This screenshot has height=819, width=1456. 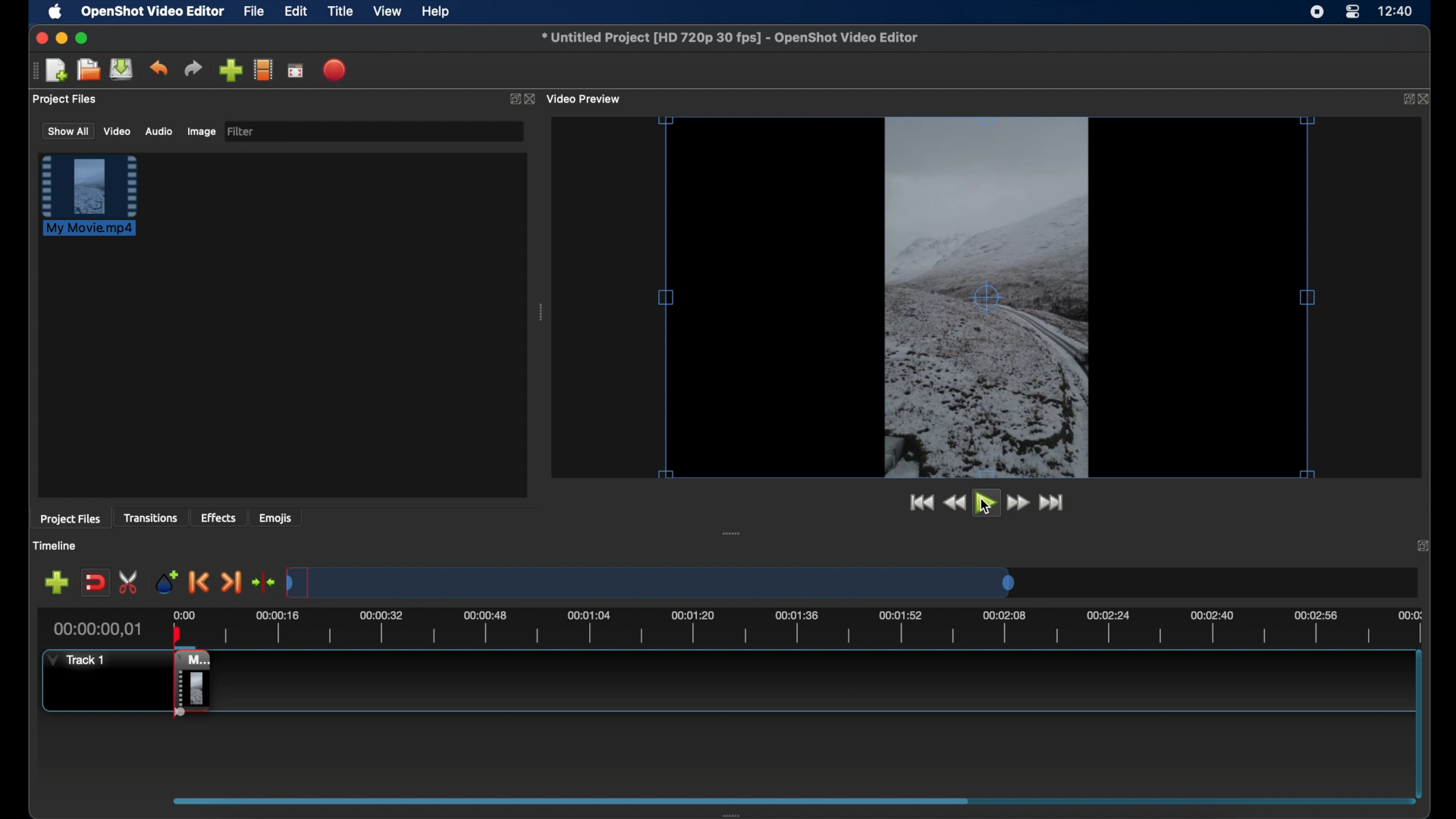 What do you see at coordinates (986, 501) in the screenshot?
I see `play button` at bounding box center [986, 501].